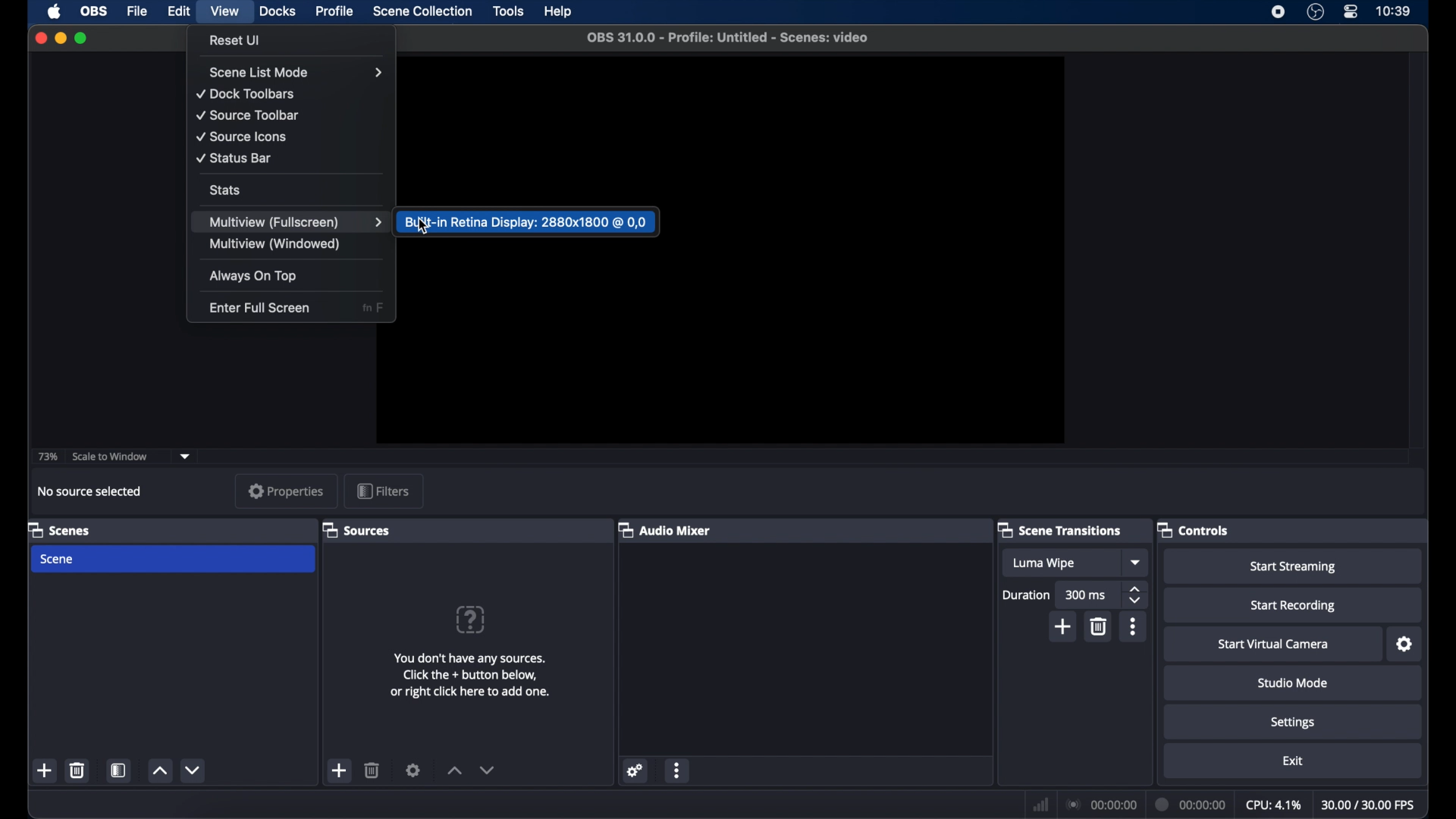 Image resolution: width=1456 pixels, height=819 pixels. I want to click on always on top, so click(253, 276).